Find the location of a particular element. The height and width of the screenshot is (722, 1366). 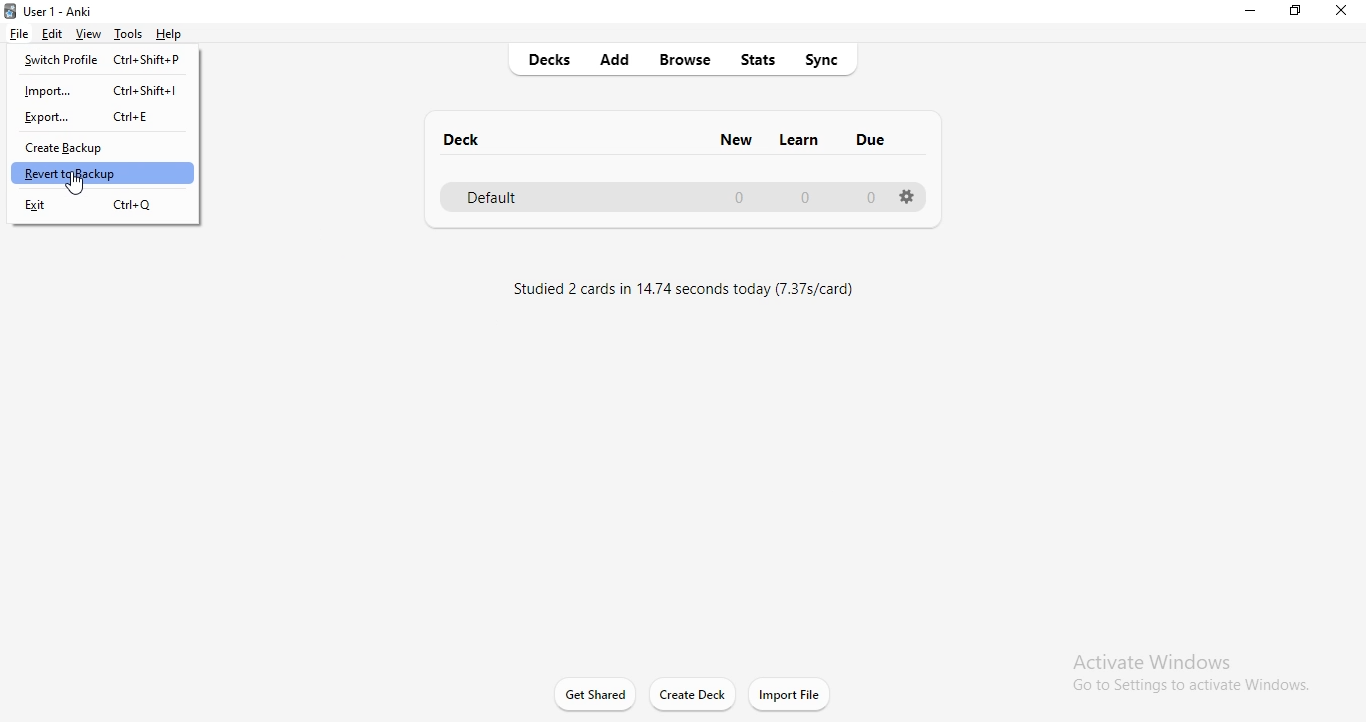

edit is located at coordinates (53, 34).